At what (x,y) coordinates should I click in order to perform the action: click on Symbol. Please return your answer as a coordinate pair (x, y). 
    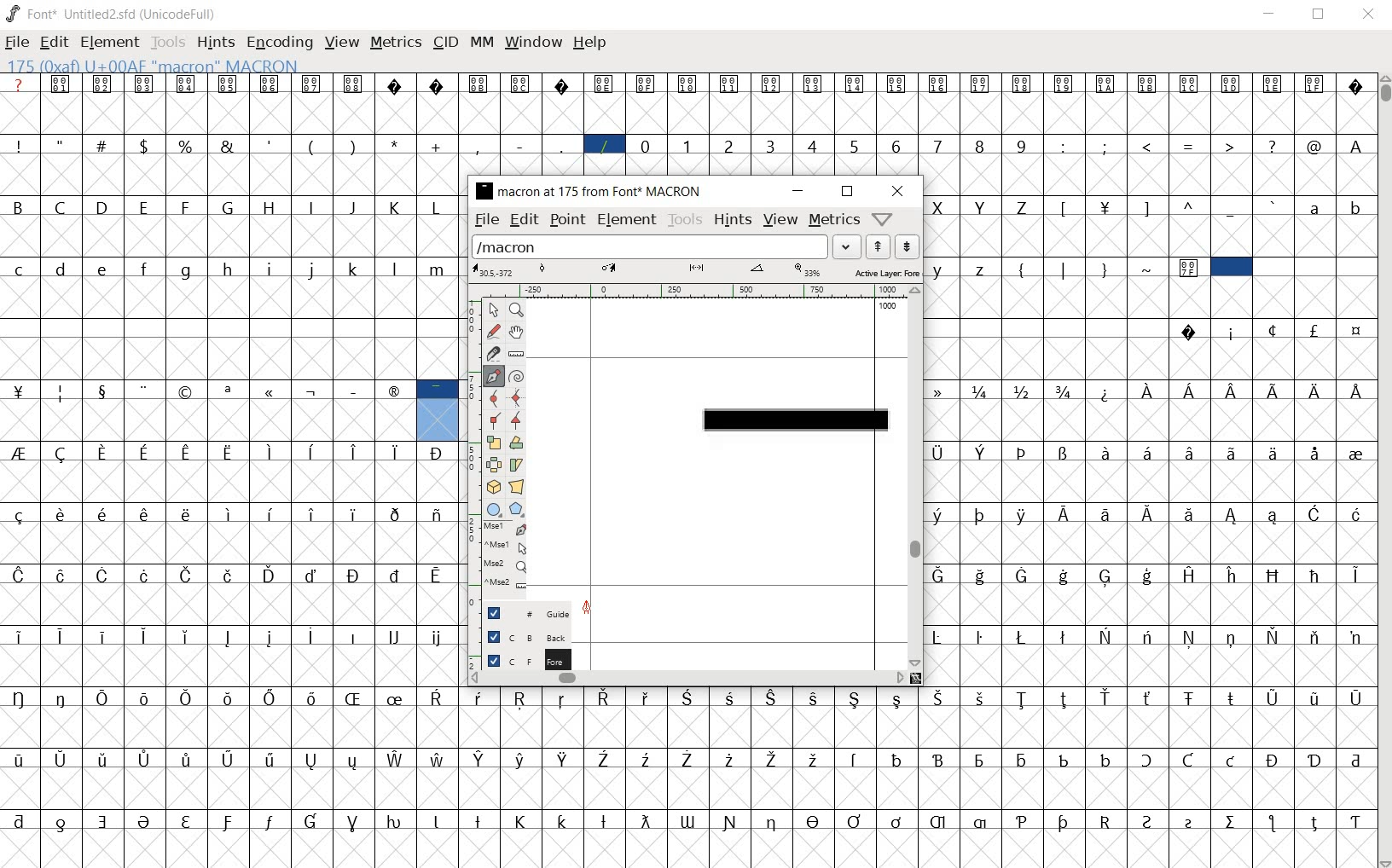
    Looking at the image, I should click on (690, 697).